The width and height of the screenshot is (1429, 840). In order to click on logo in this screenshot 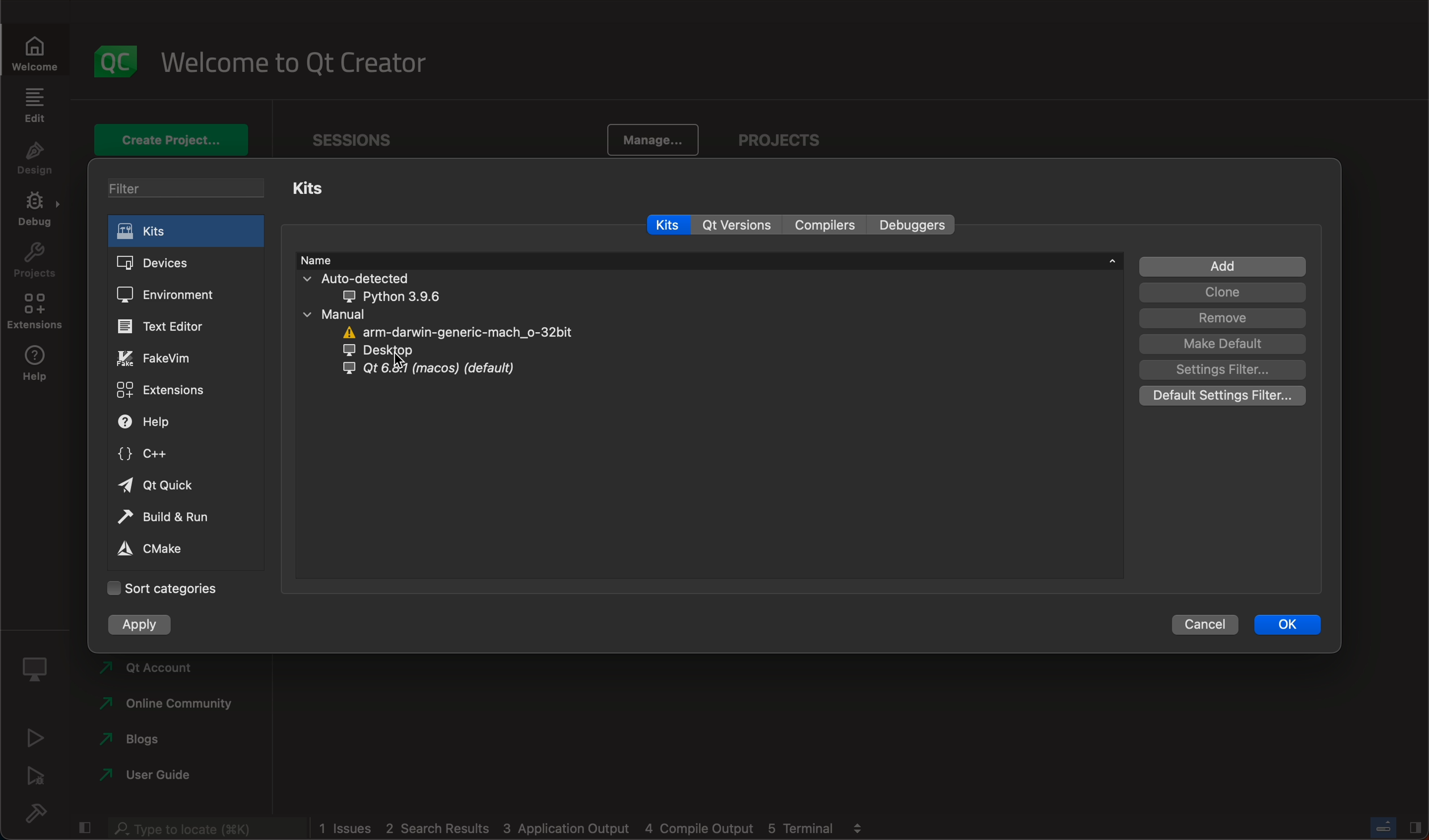, I will do `click(117, 58)`.